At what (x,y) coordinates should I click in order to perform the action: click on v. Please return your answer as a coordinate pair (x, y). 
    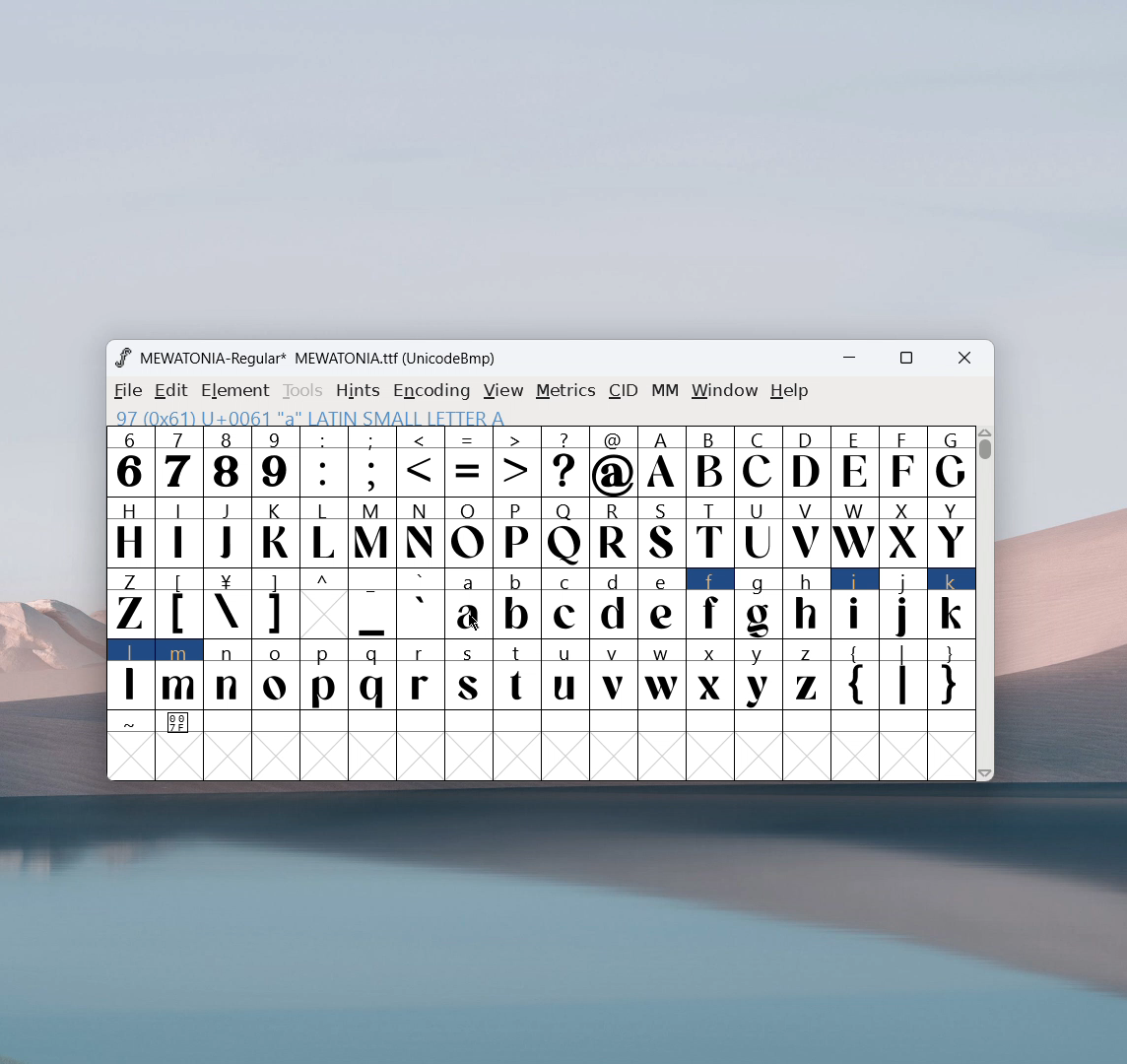
    Looking at the image, I should click on (613, 674).